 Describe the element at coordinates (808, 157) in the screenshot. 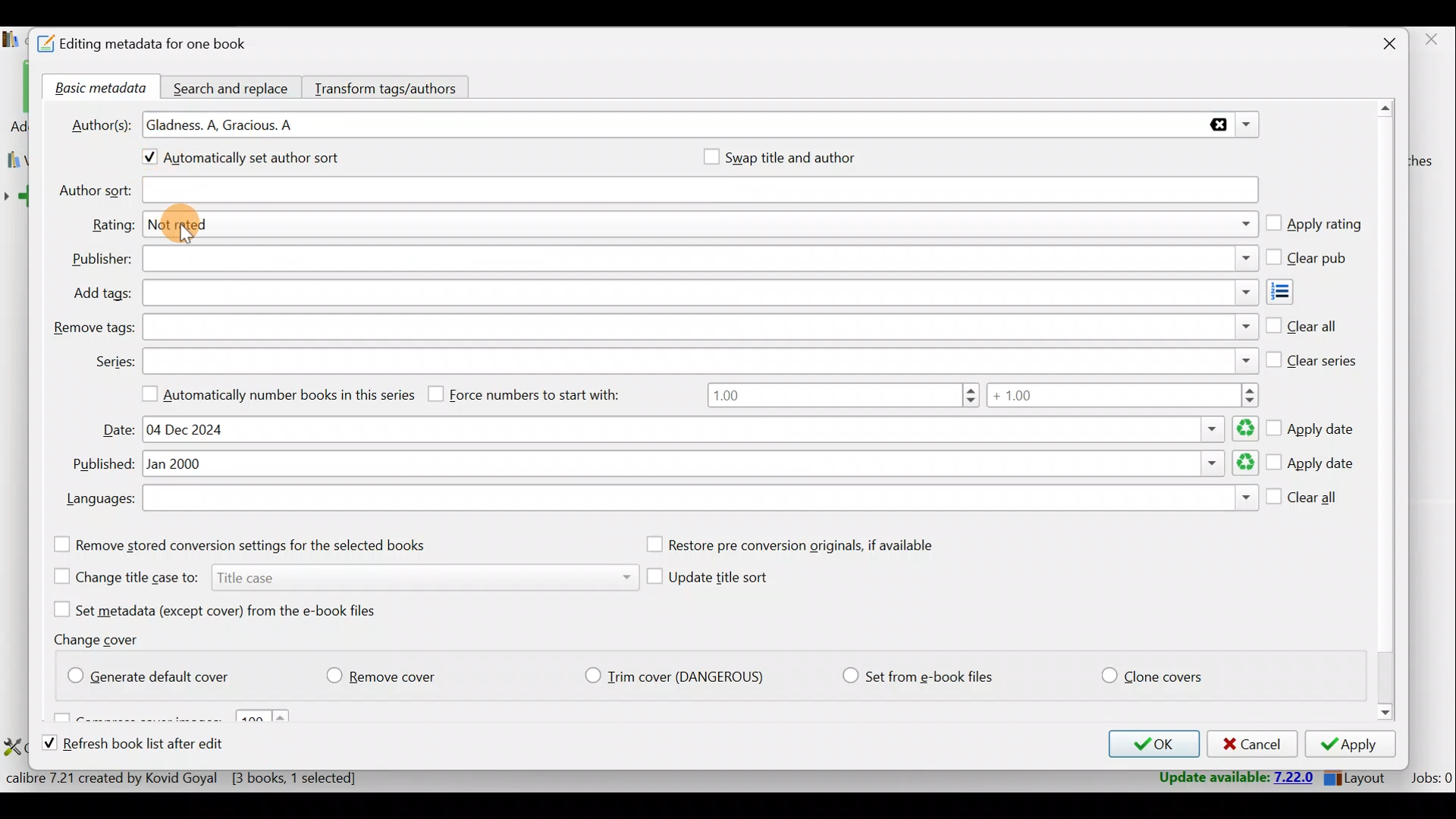

I see `Swap title and author` at that location.